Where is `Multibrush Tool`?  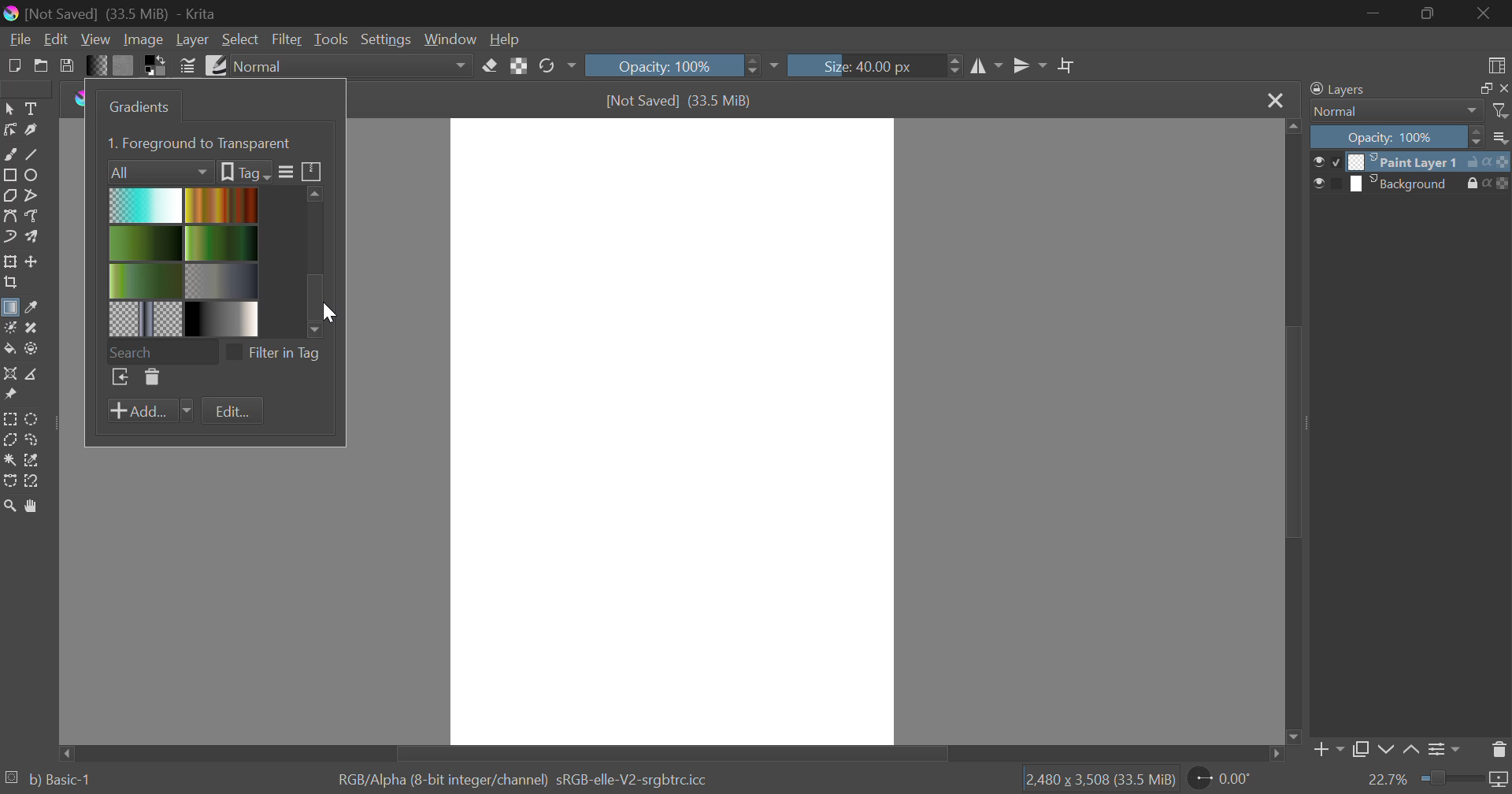
Multibrush Tool is located at coordinates (31, 238).